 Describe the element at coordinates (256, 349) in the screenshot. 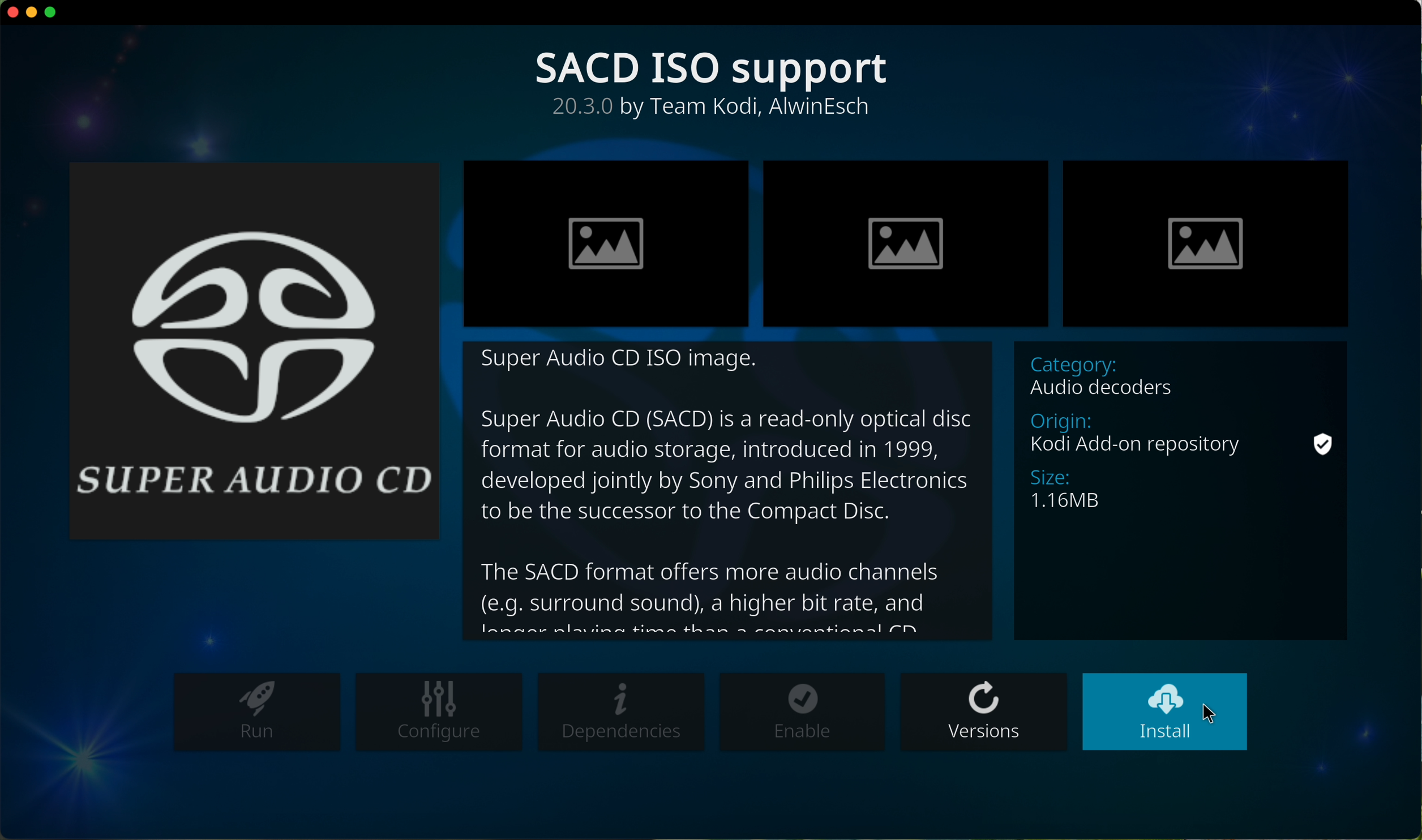

I see `super audio CD logo` at that location.